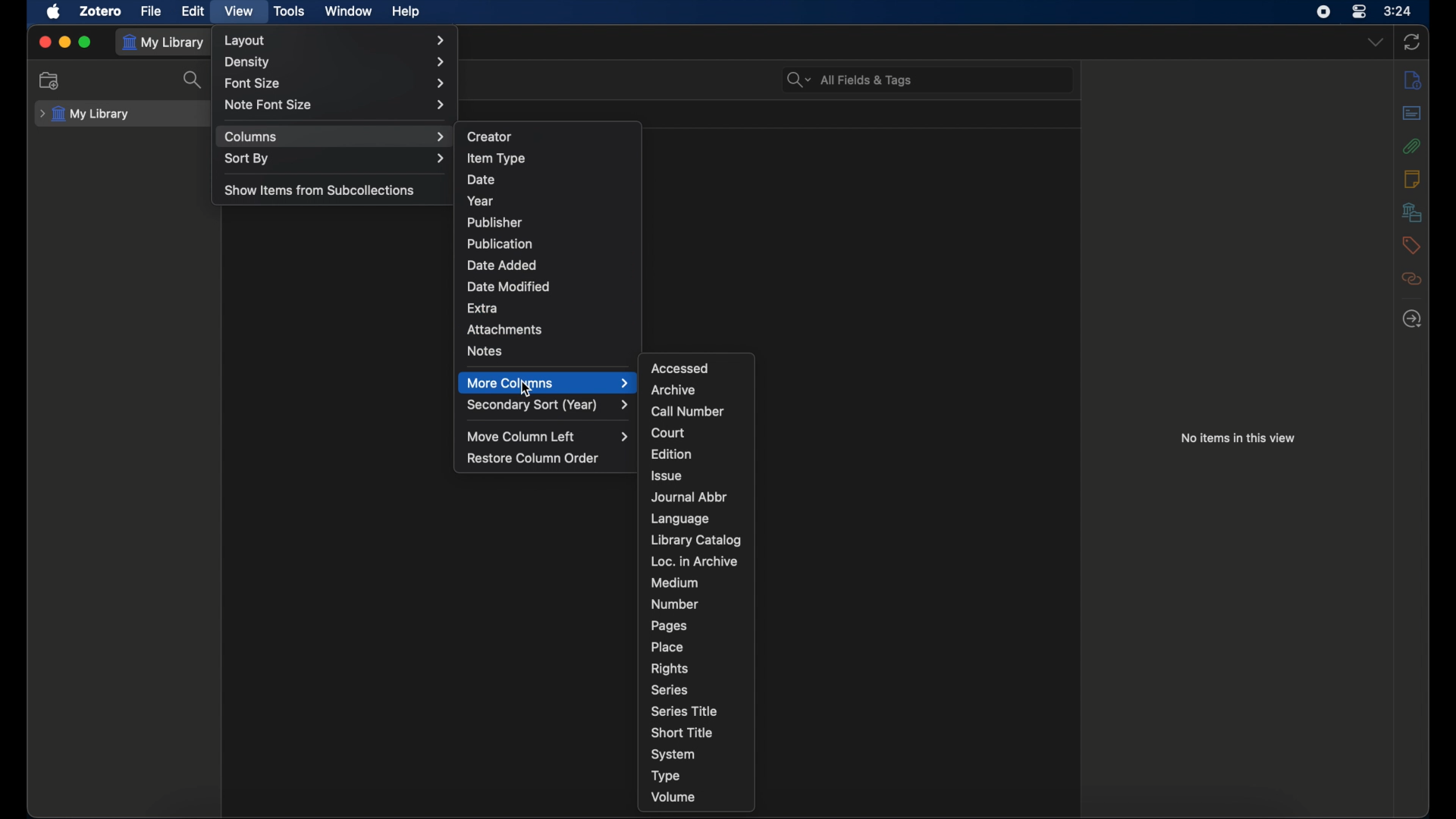  I want to click on call number, so click(689, 412).